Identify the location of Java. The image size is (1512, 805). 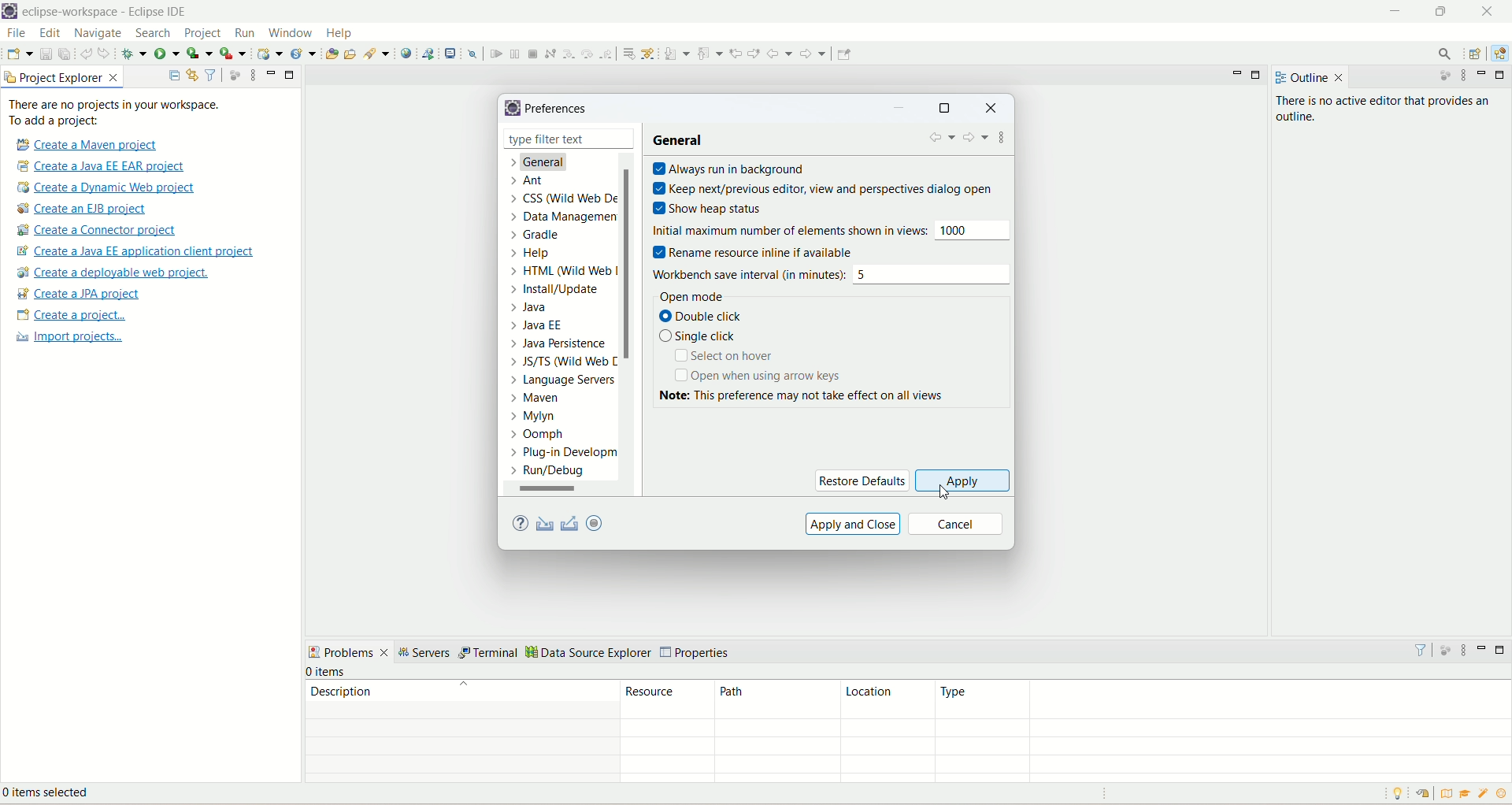
(535, 309).